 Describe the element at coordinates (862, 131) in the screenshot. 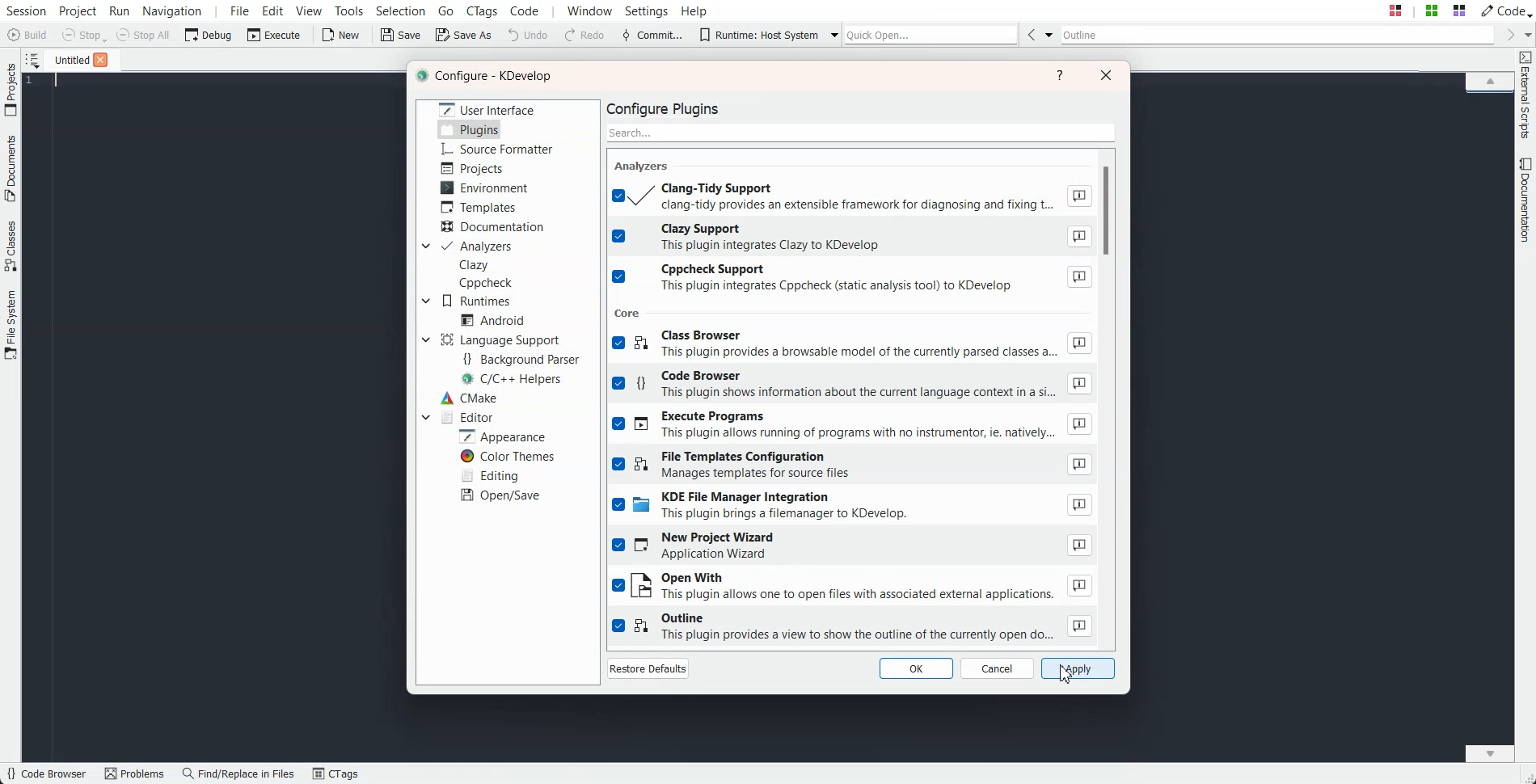

I see `Search bar` at that location.